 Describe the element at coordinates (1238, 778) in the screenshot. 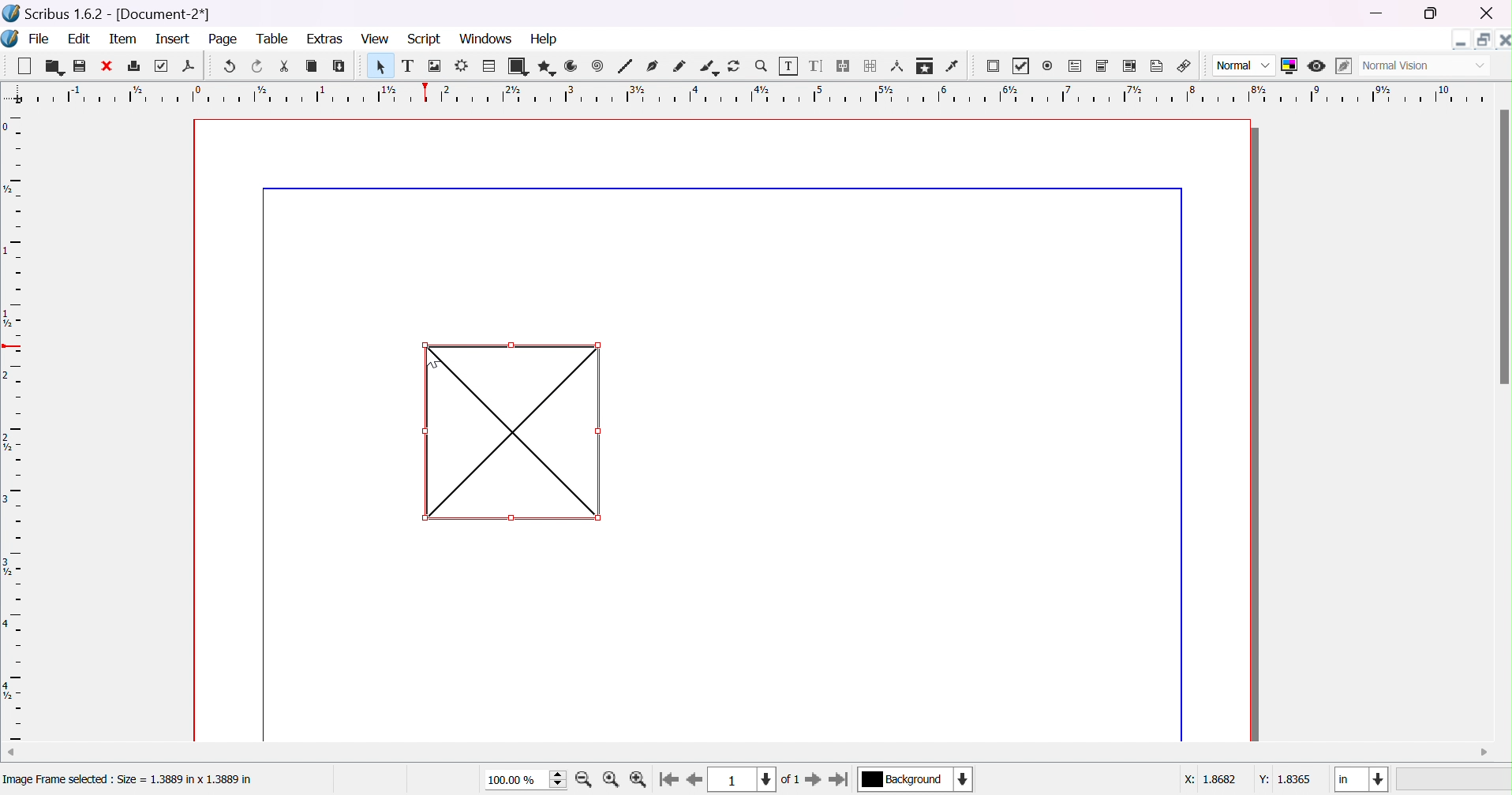

I see `X: 18682  Y: 1.8365` at that location.